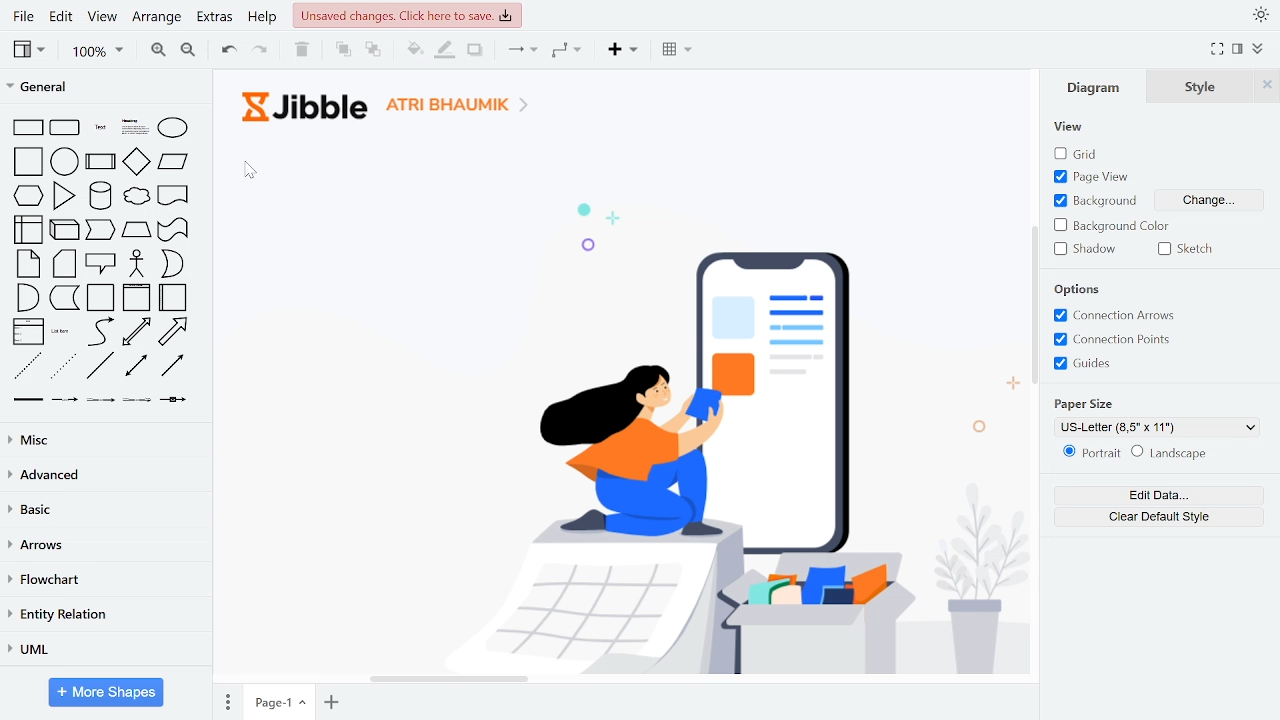  I want to click on More shapes, so click(106, 692).